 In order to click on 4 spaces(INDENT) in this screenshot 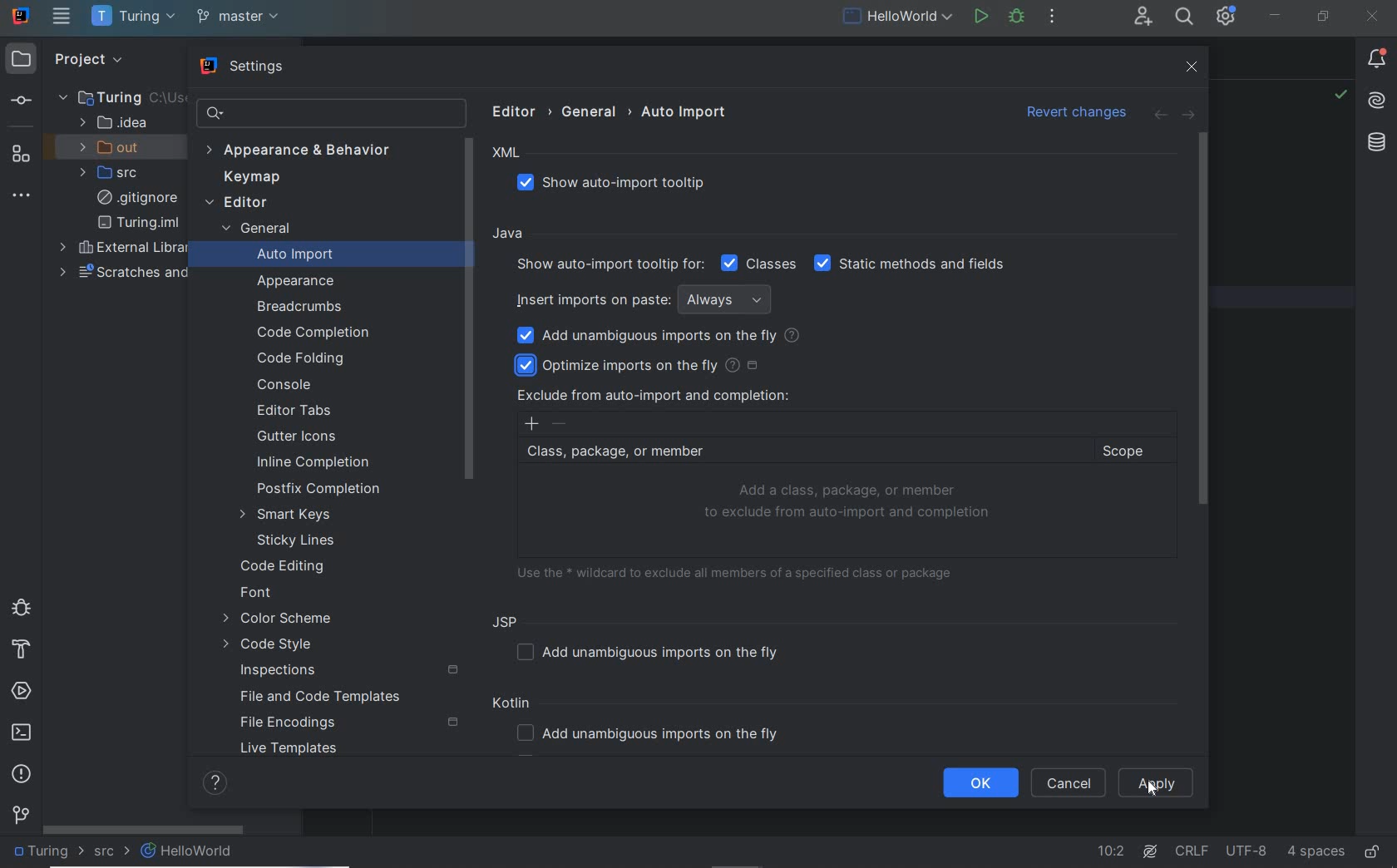, I will do `click(1316, 850)`.